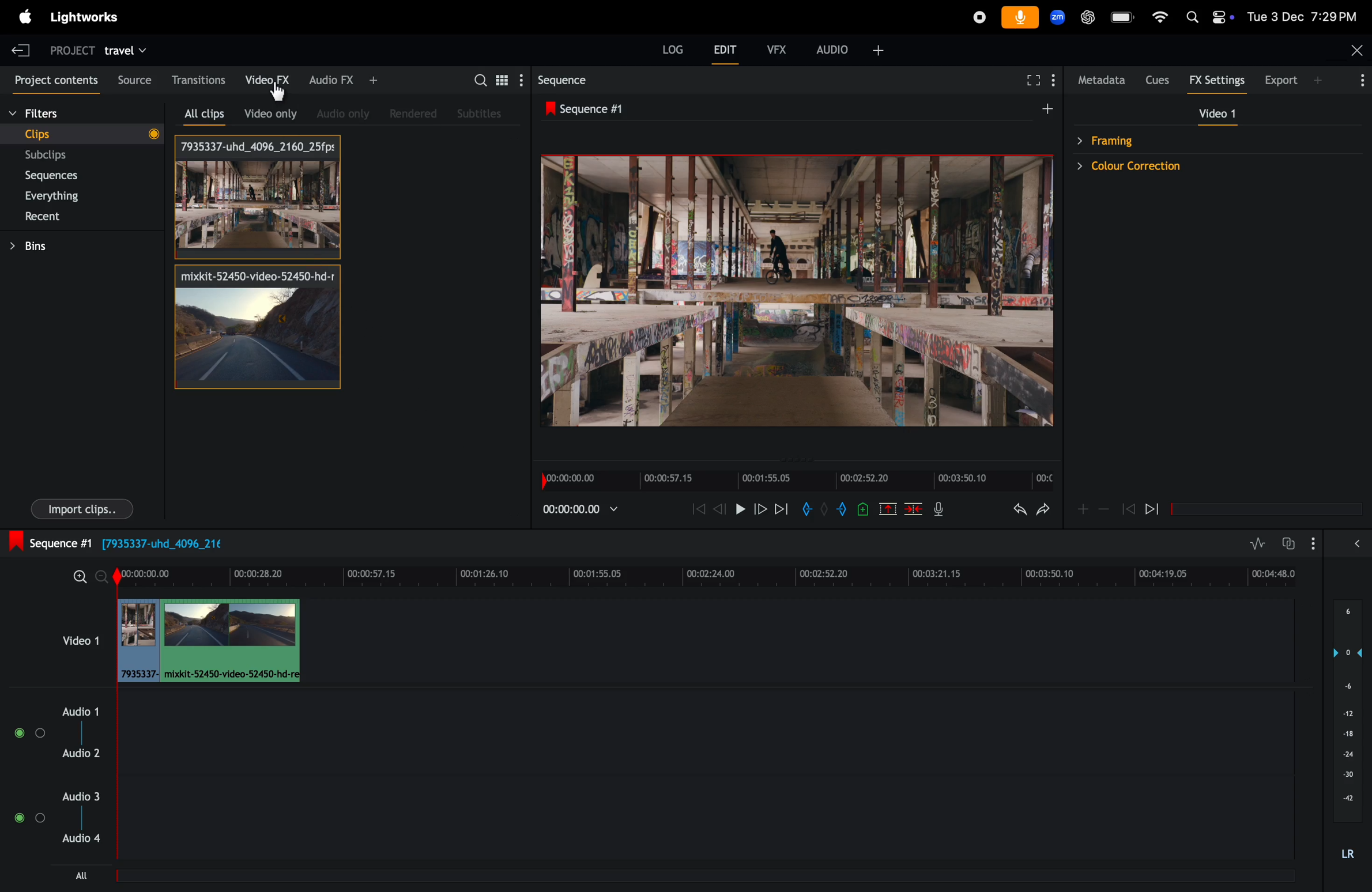 This screenshot has width=1372, height=892. What do you see at coordinates (1123, 17) in the screenshot?
I see `battery` at bounding box center [1123, 17].